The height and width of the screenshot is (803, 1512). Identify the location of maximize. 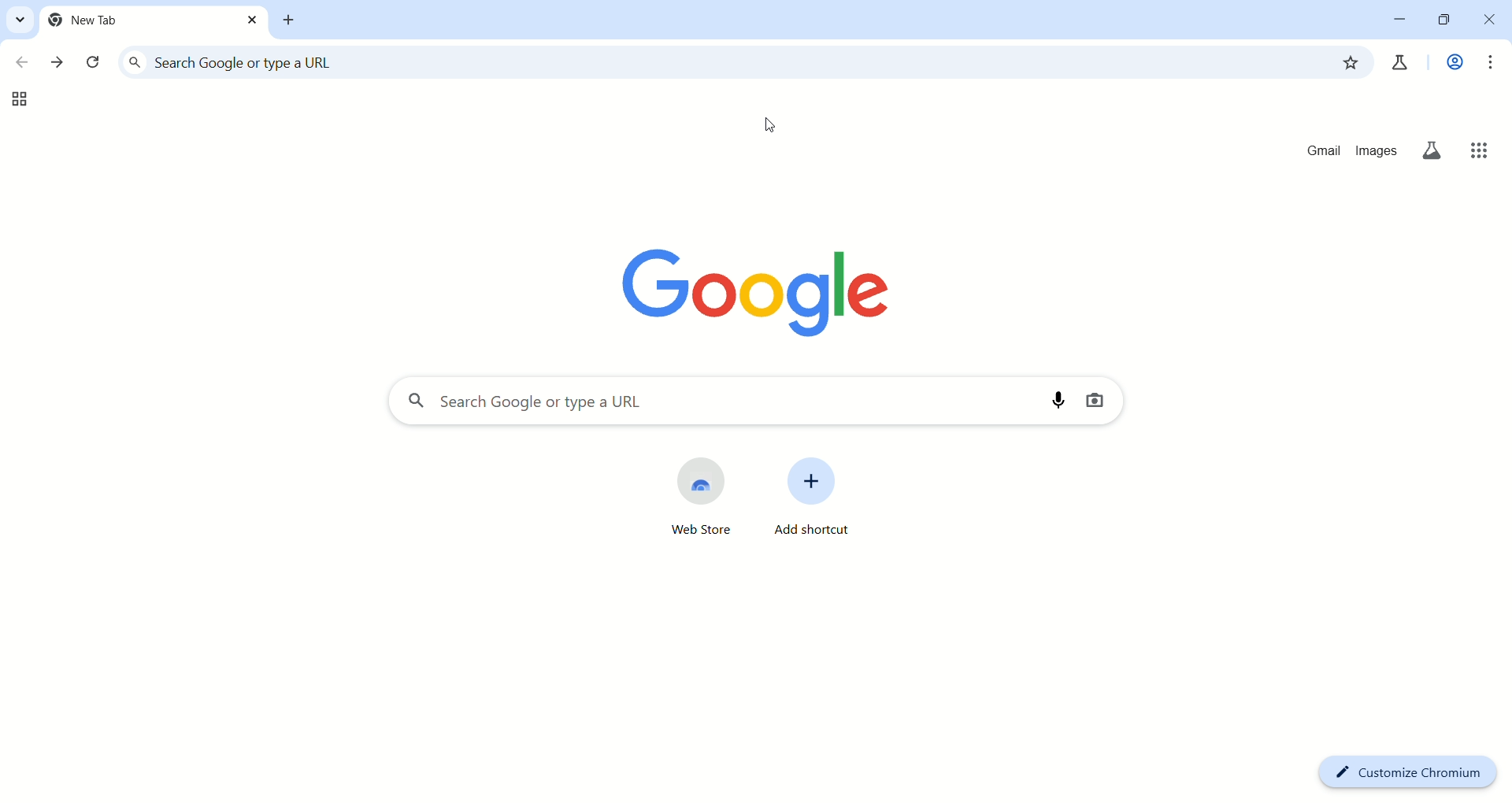
(1447, 22).